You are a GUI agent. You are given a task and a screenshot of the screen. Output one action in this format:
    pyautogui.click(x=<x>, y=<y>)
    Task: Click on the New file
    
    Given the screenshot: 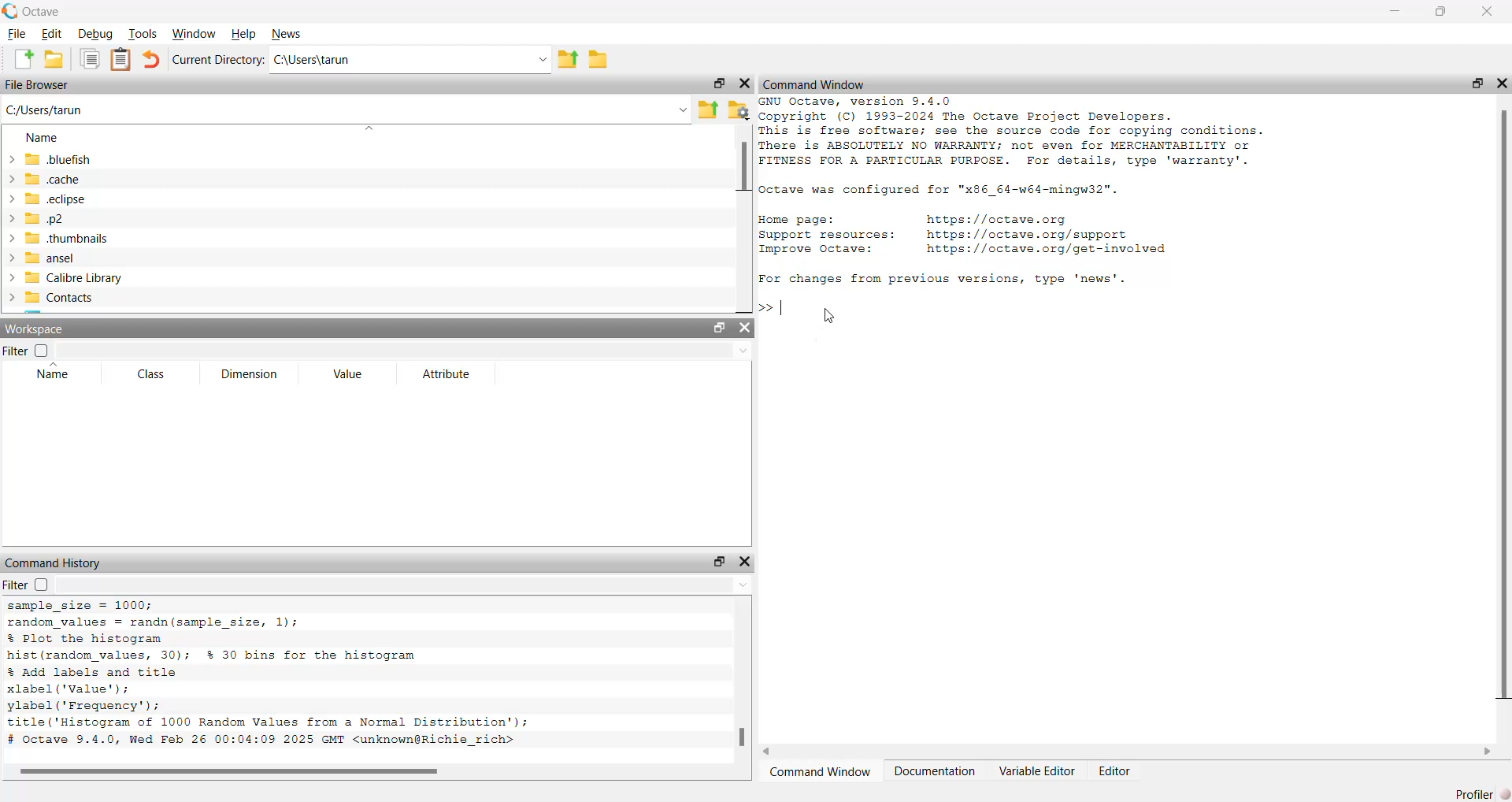 What is the action you would take?
    pyautogui.click(x=23, y=58)
    